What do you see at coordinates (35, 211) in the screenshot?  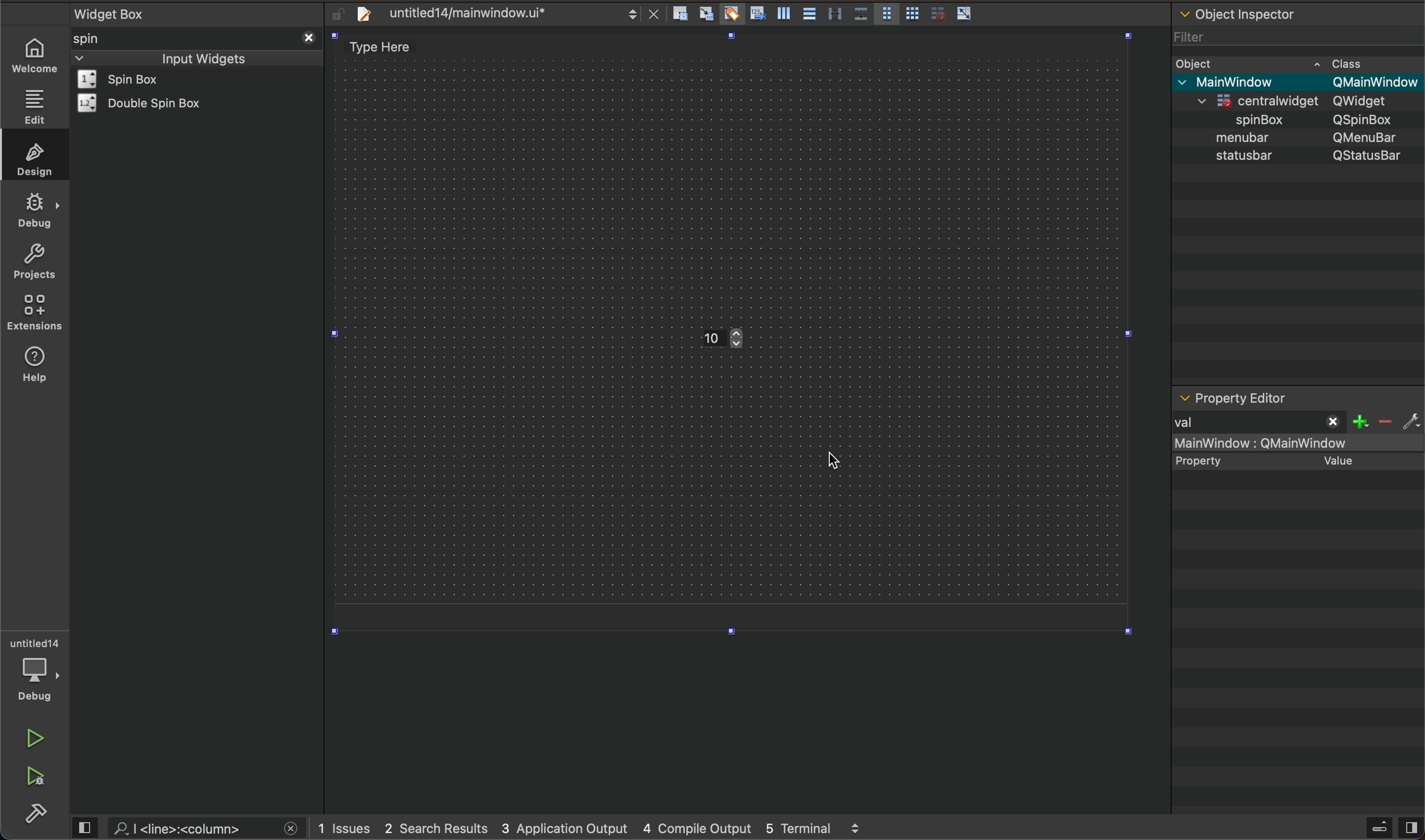 I see `debug` at bounding box center [35, 211].